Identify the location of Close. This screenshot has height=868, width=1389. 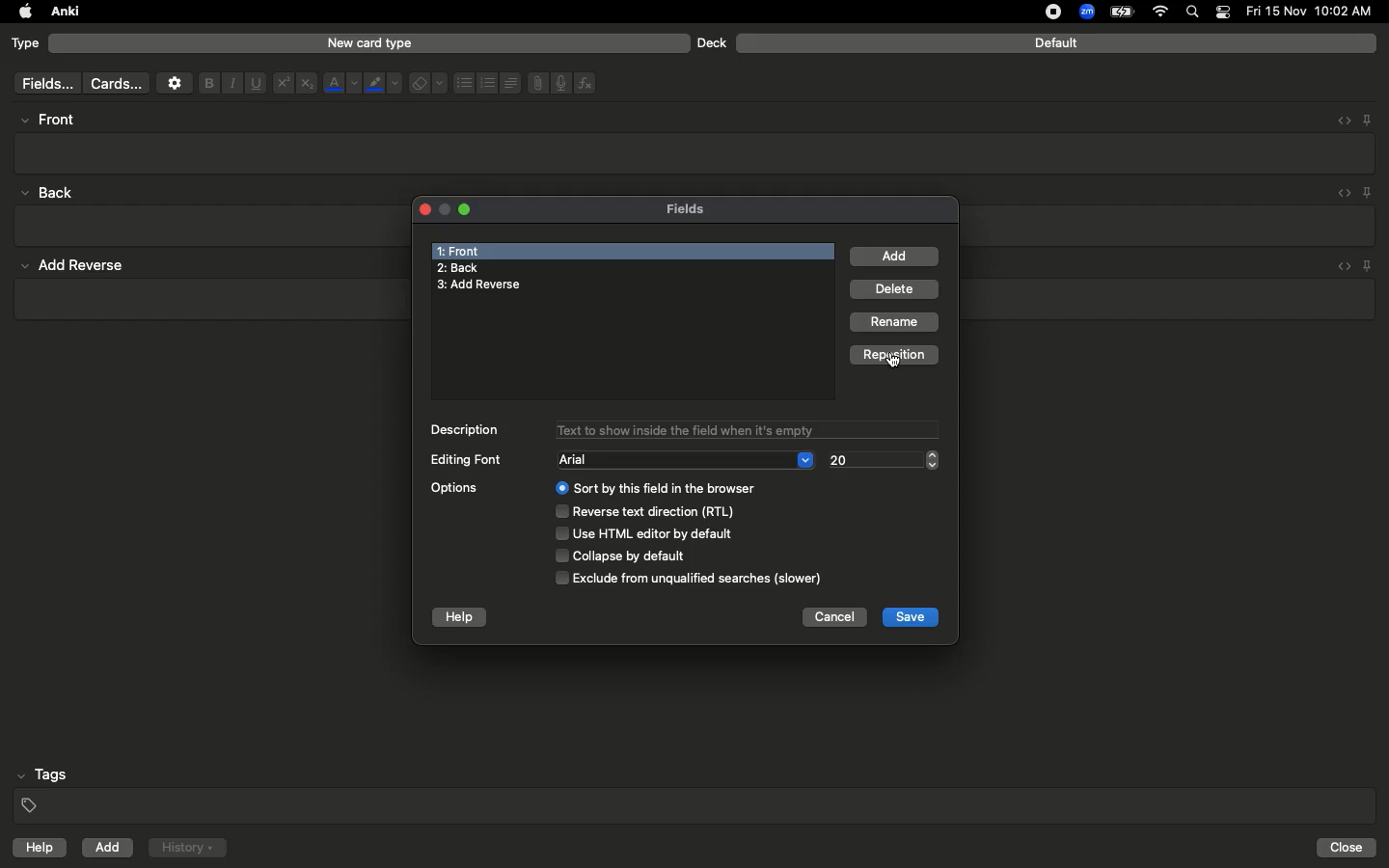
(1349, 848).